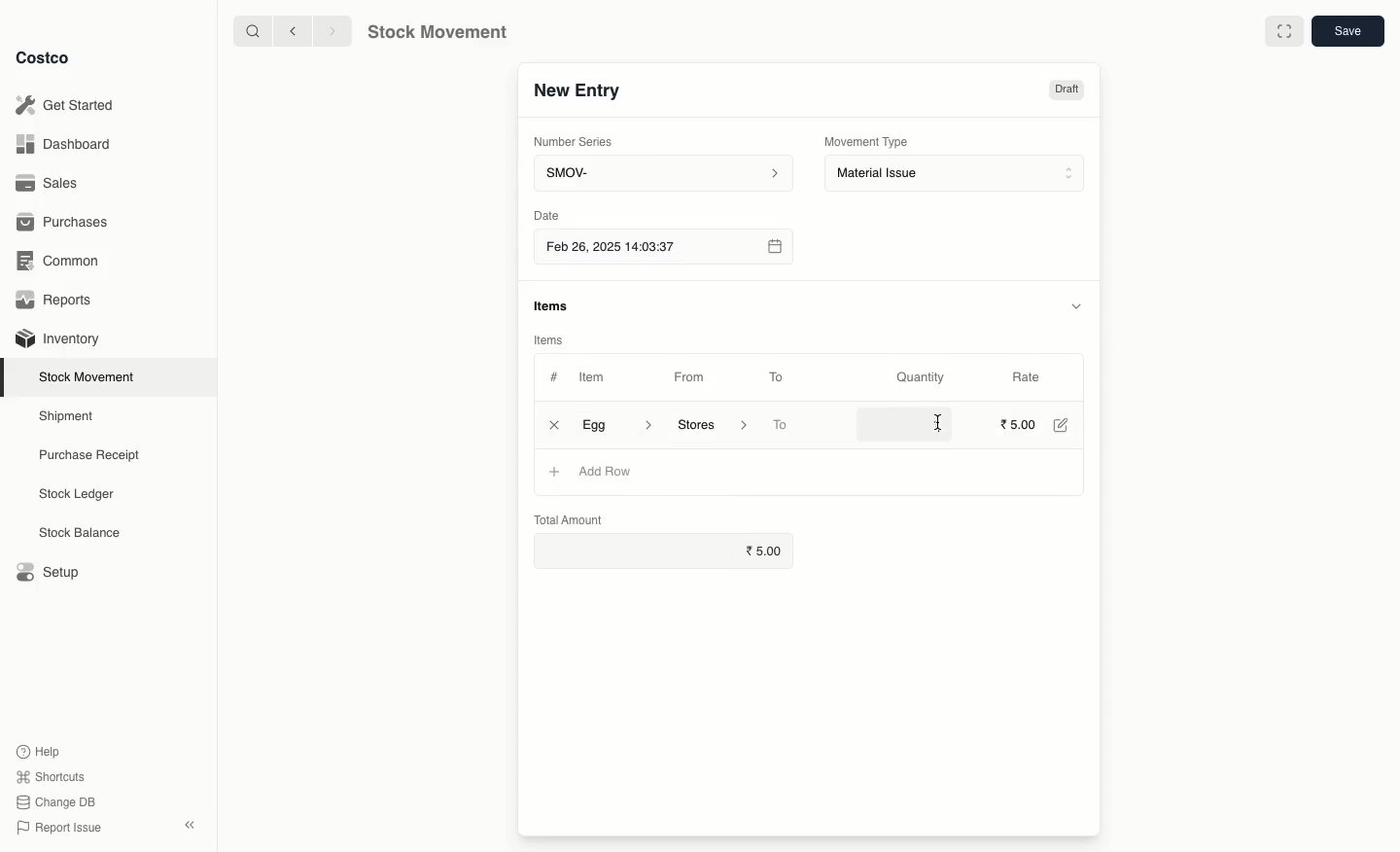  Describe the element at coordinates (255, 32) in the screenshot. I see `search` at that location.